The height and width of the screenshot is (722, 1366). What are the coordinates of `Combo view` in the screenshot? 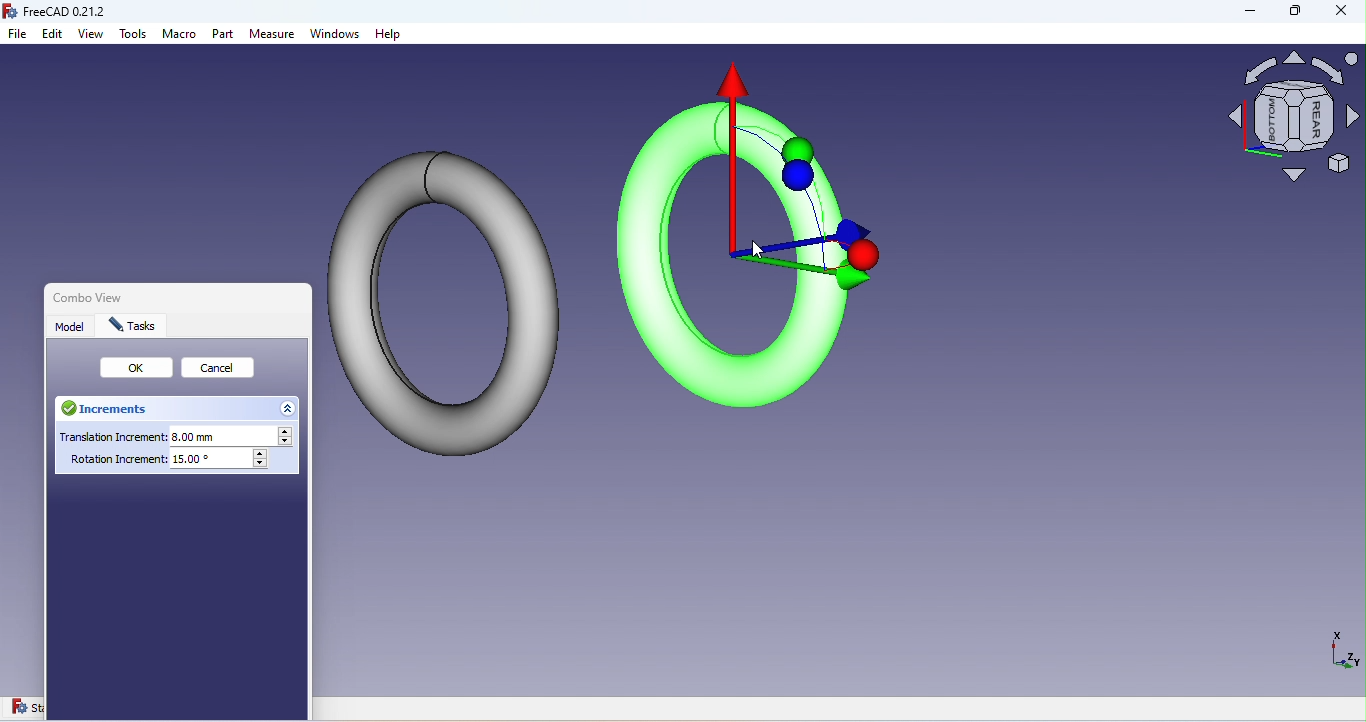 It's located at (83, 296).